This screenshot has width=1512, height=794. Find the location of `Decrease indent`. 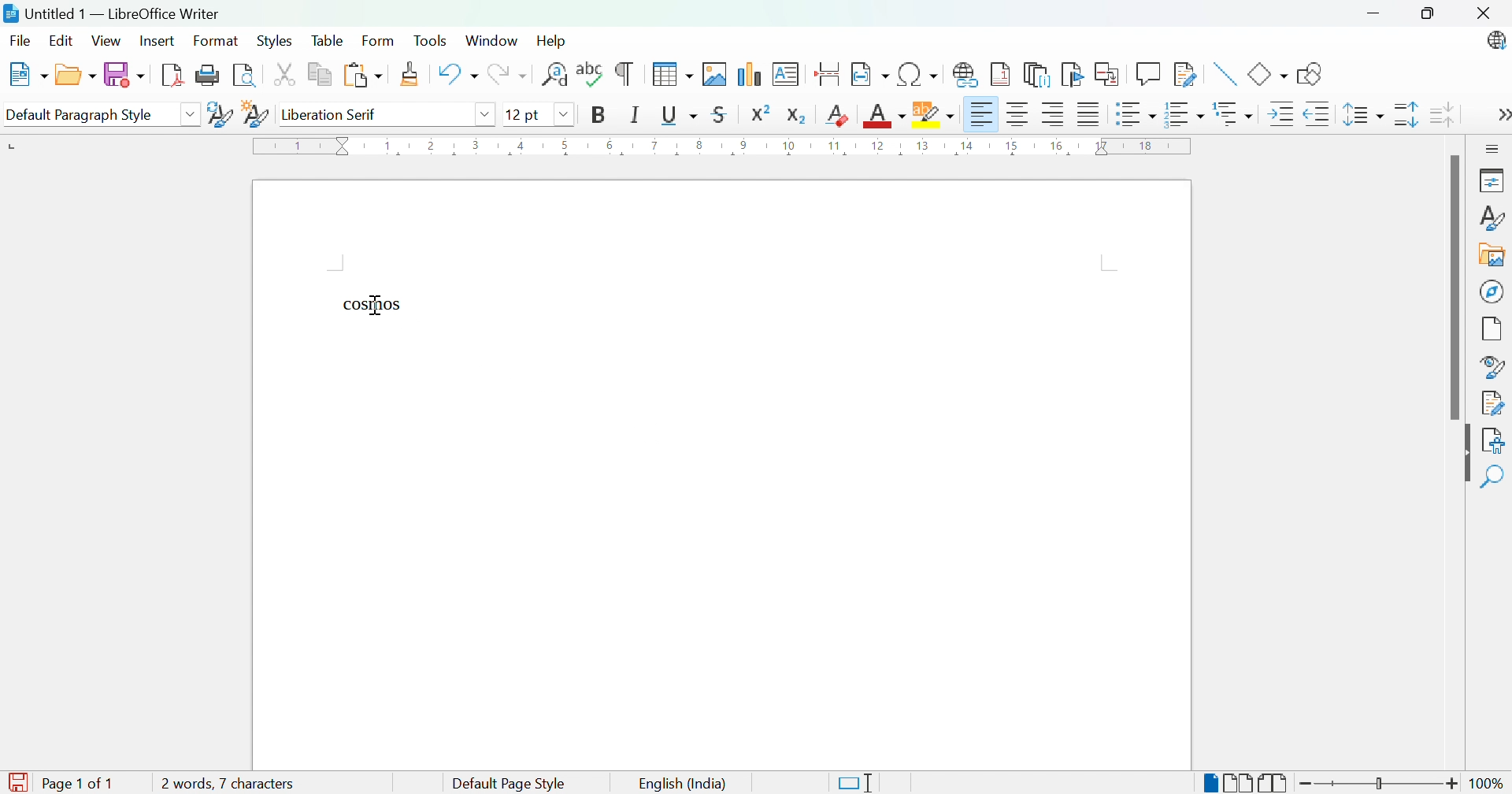

Decrease indent is located at coordinates (1318, 115).